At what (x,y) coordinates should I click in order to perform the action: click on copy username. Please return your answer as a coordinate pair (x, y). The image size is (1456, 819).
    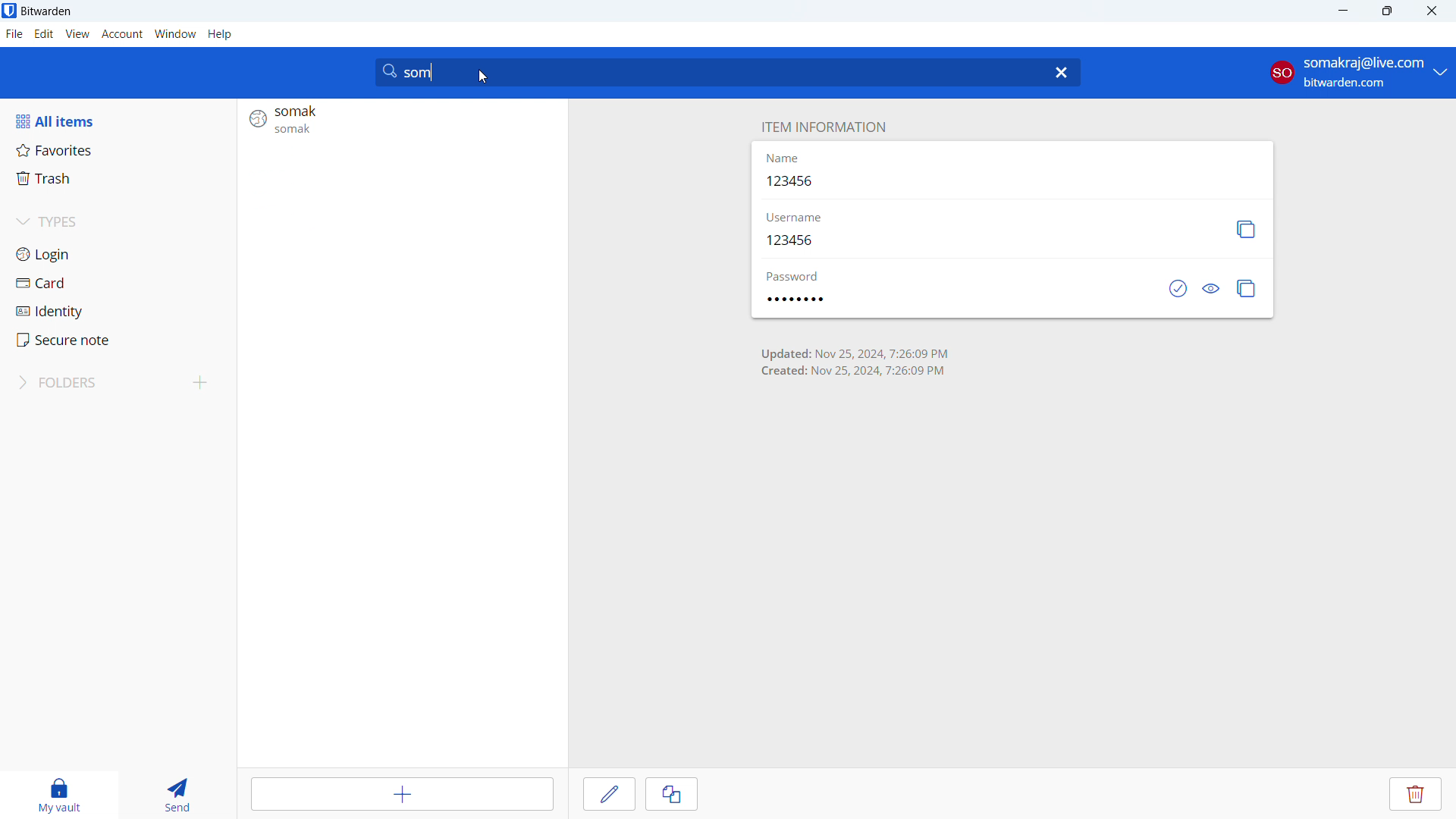
    Looking at the image, I should click on (1245, 230).